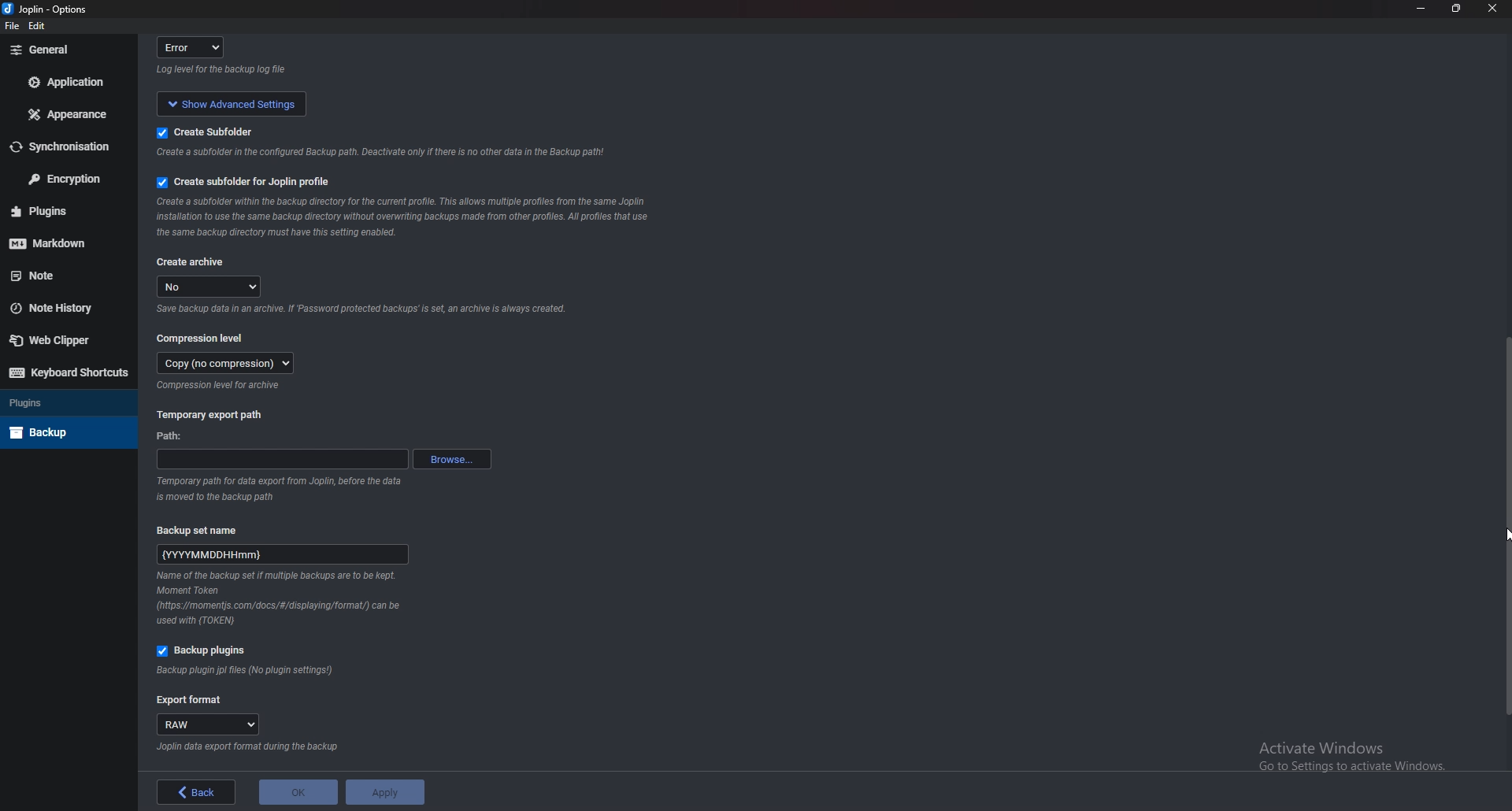  What do you see at coordinates (65, 402) in the screenshot?
I see `Plugins` at bounding box center [65, 402].